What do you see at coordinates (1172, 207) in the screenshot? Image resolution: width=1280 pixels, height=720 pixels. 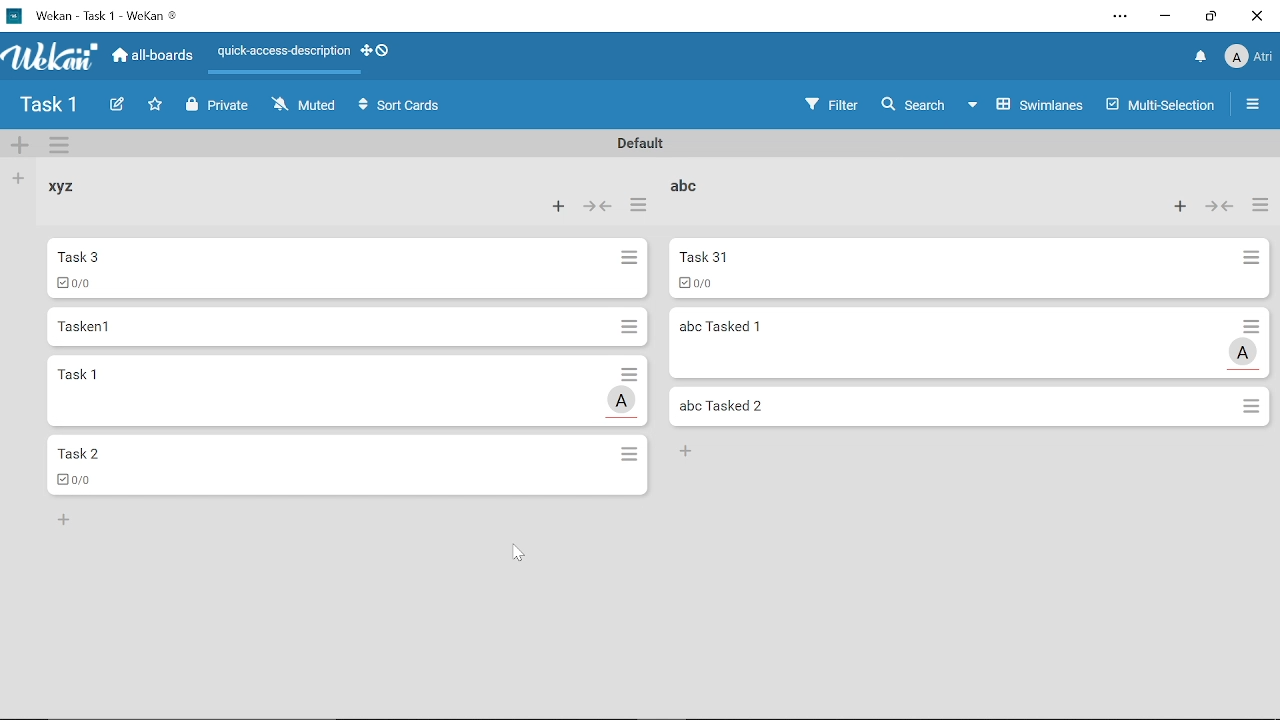 I see `Add` at bounding box center [1172, 207].